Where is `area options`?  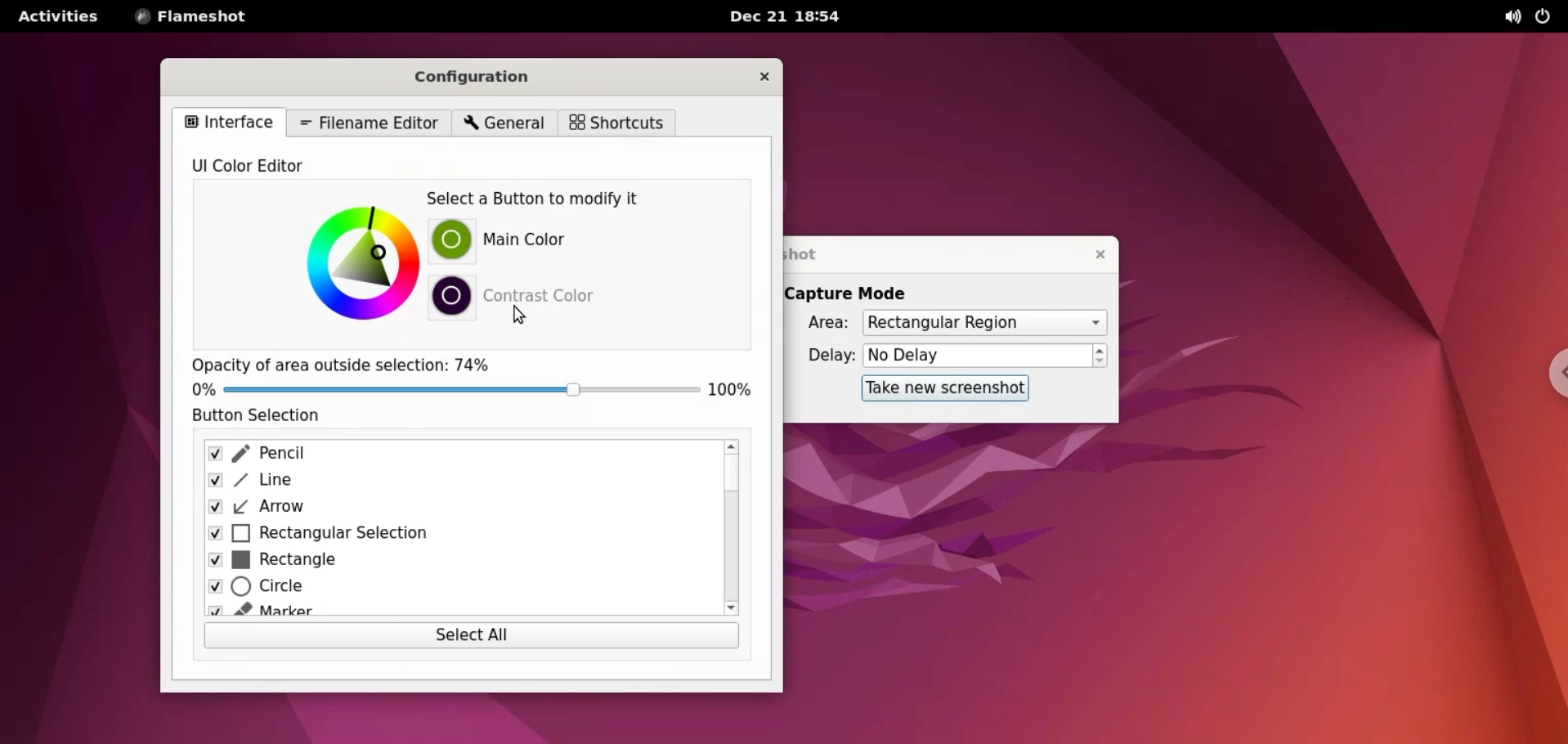
area options is located at coordinates (984, 324).